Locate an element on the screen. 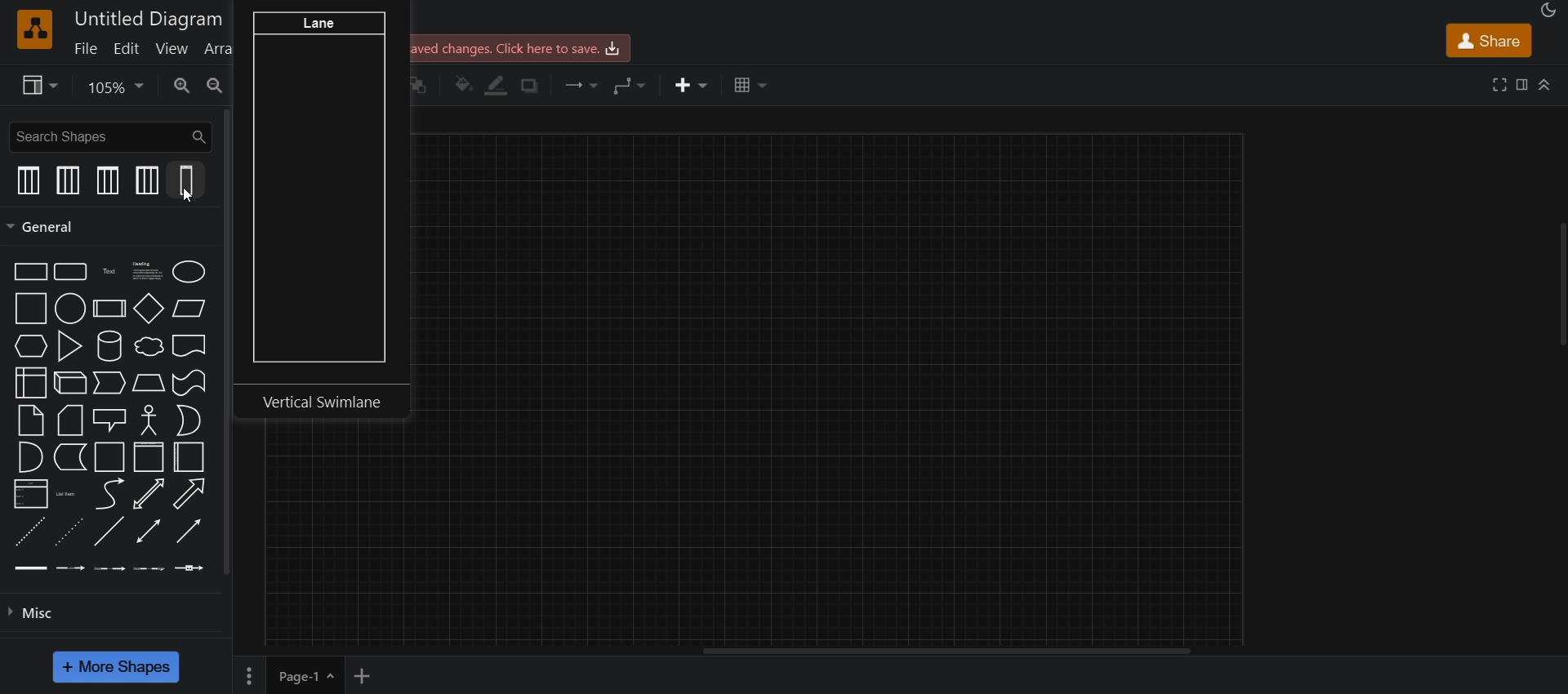 The image size is (1568, 694). hexagon is located at coordinates (32, 348).